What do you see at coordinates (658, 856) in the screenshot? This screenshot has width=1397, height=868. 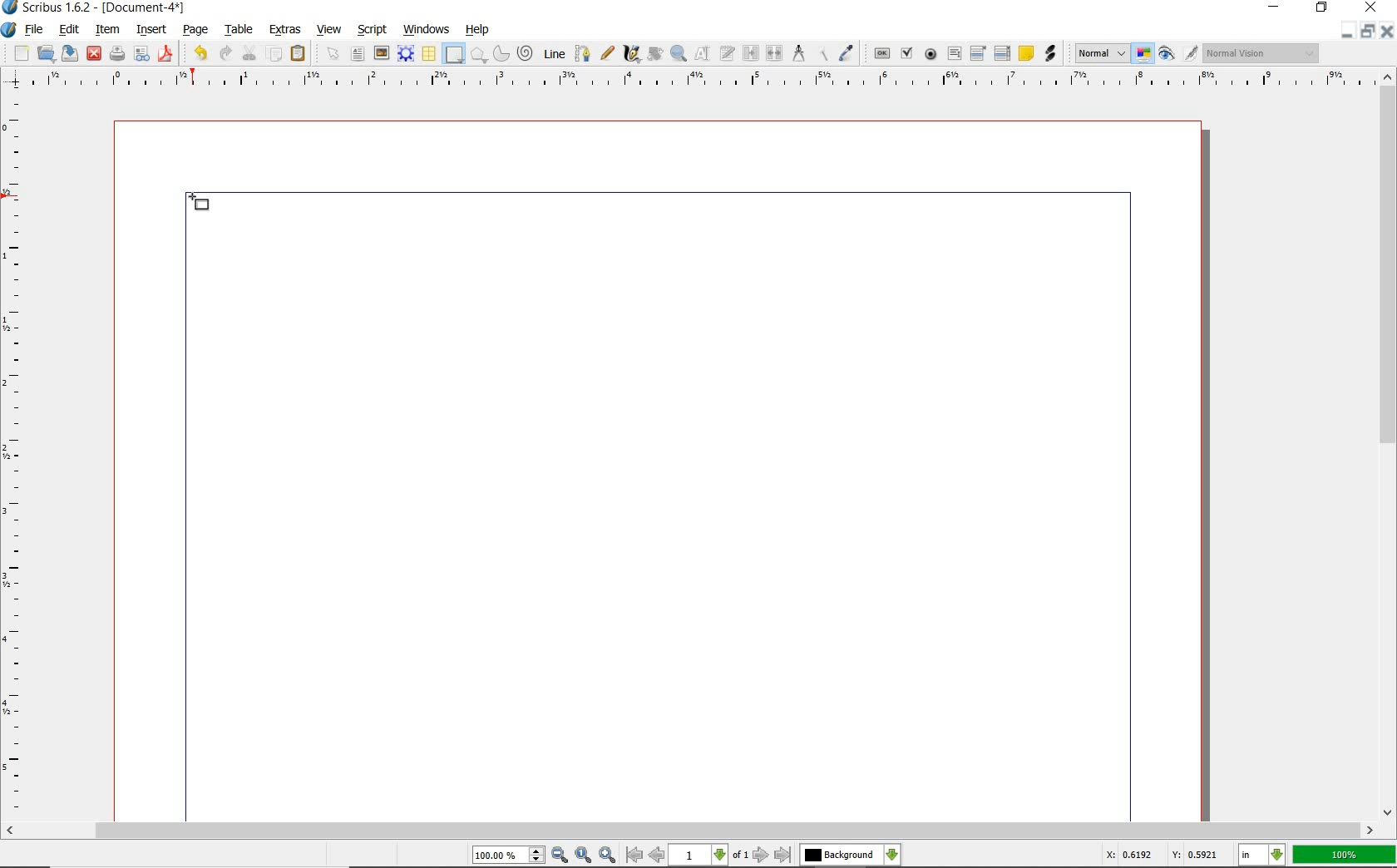 I see `go to previous page` at bounding box center [658, 856].